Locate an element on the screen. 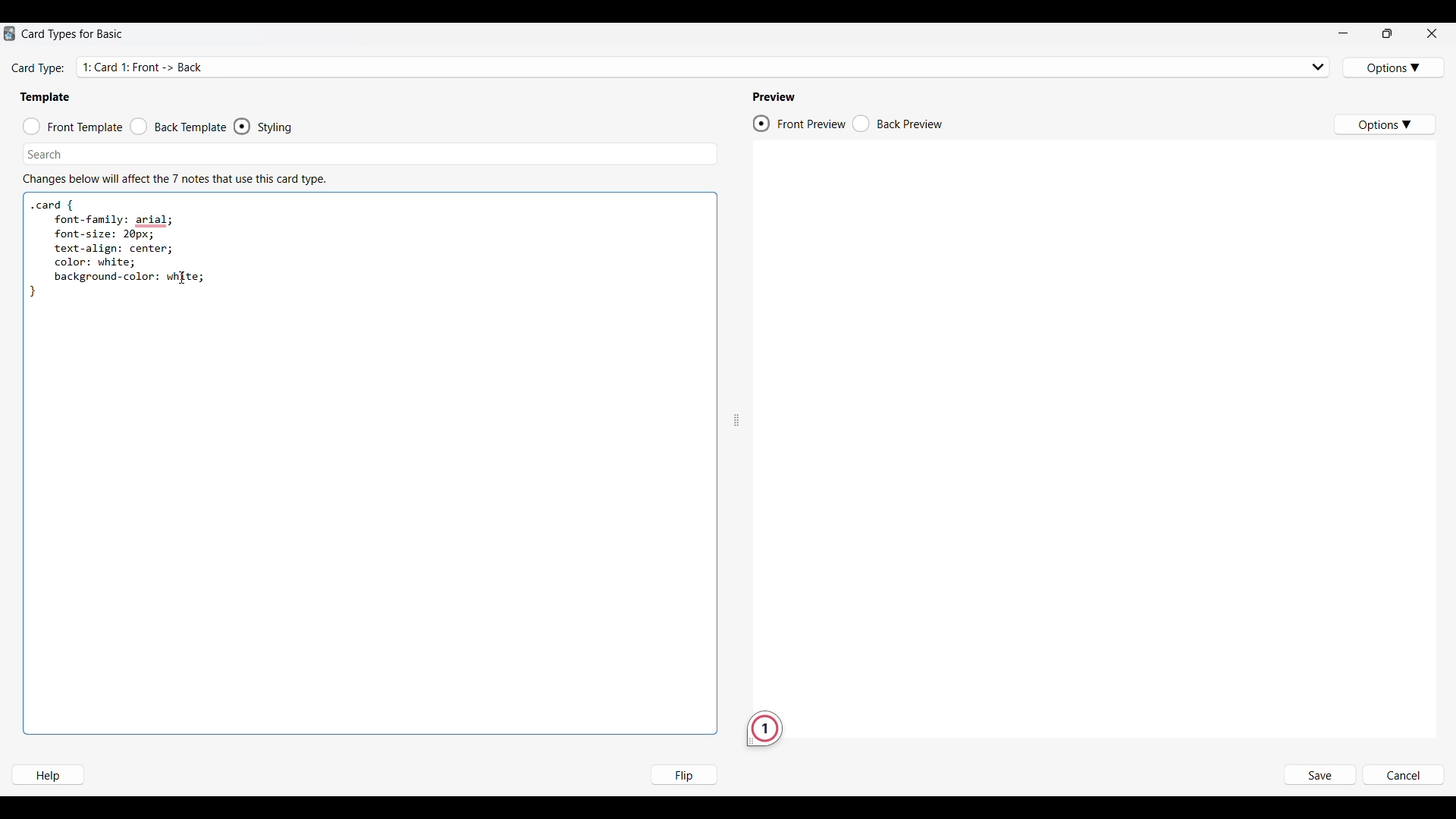  Indicates Preview section is located at coordinates (777, 97).